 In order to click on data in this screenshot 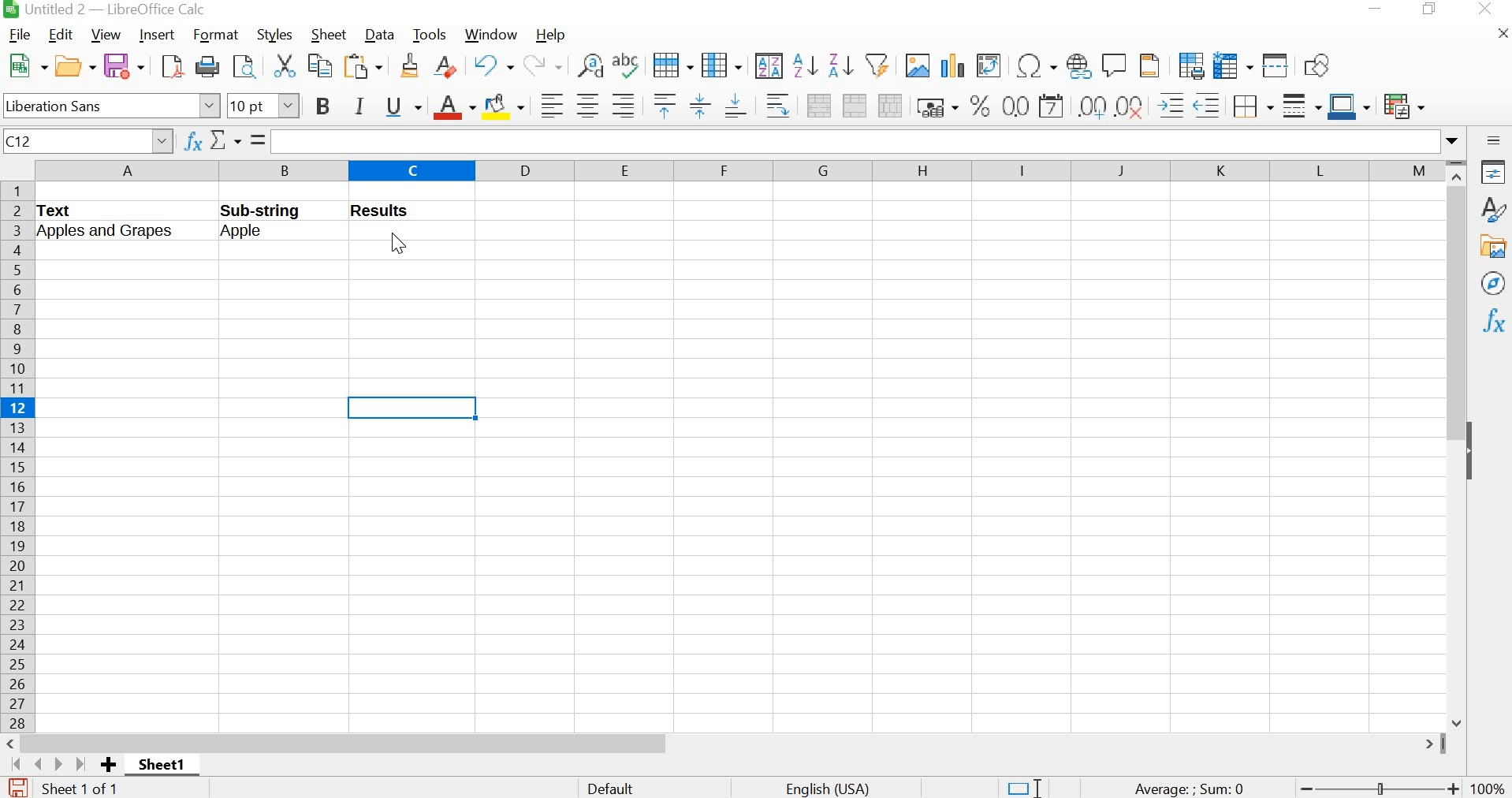, I will do `click(378, 35)`.